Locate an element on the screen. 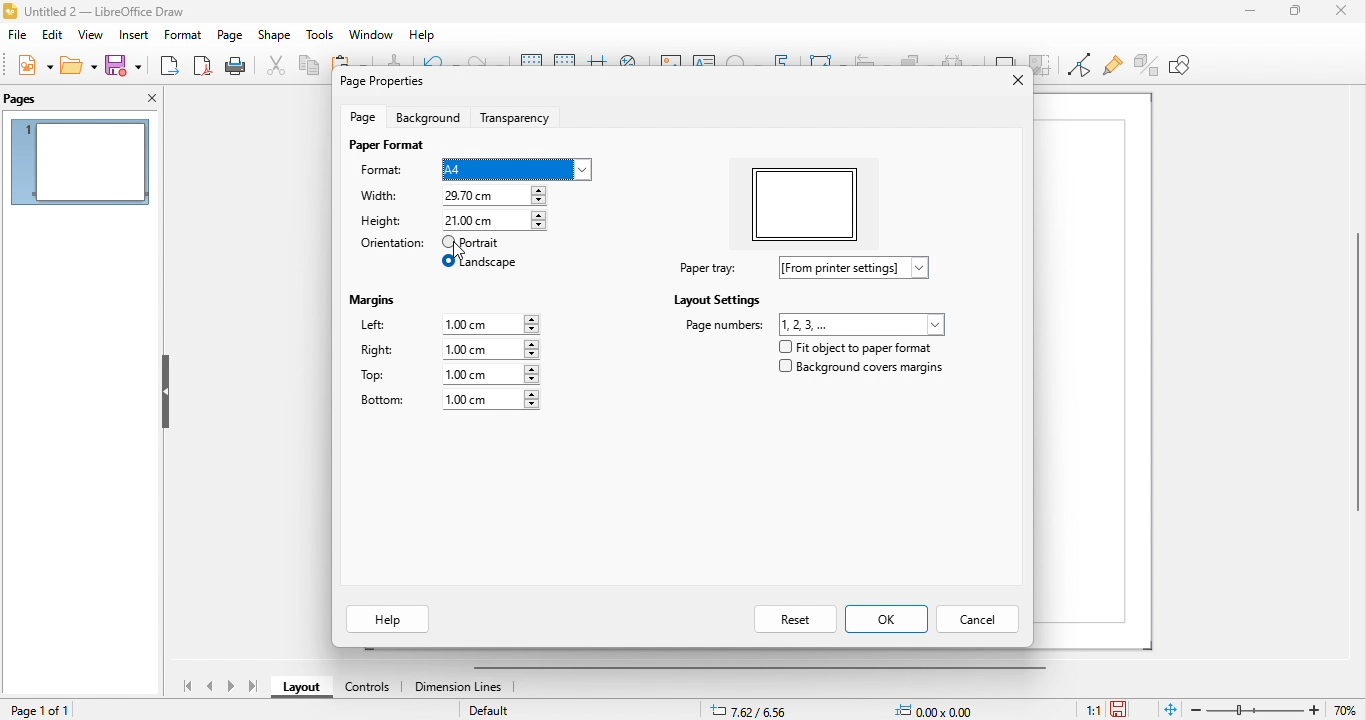 Image resolution: width=1366 pixels, height=720 pixels. background covers and margins is located at coordinates (863, 370).